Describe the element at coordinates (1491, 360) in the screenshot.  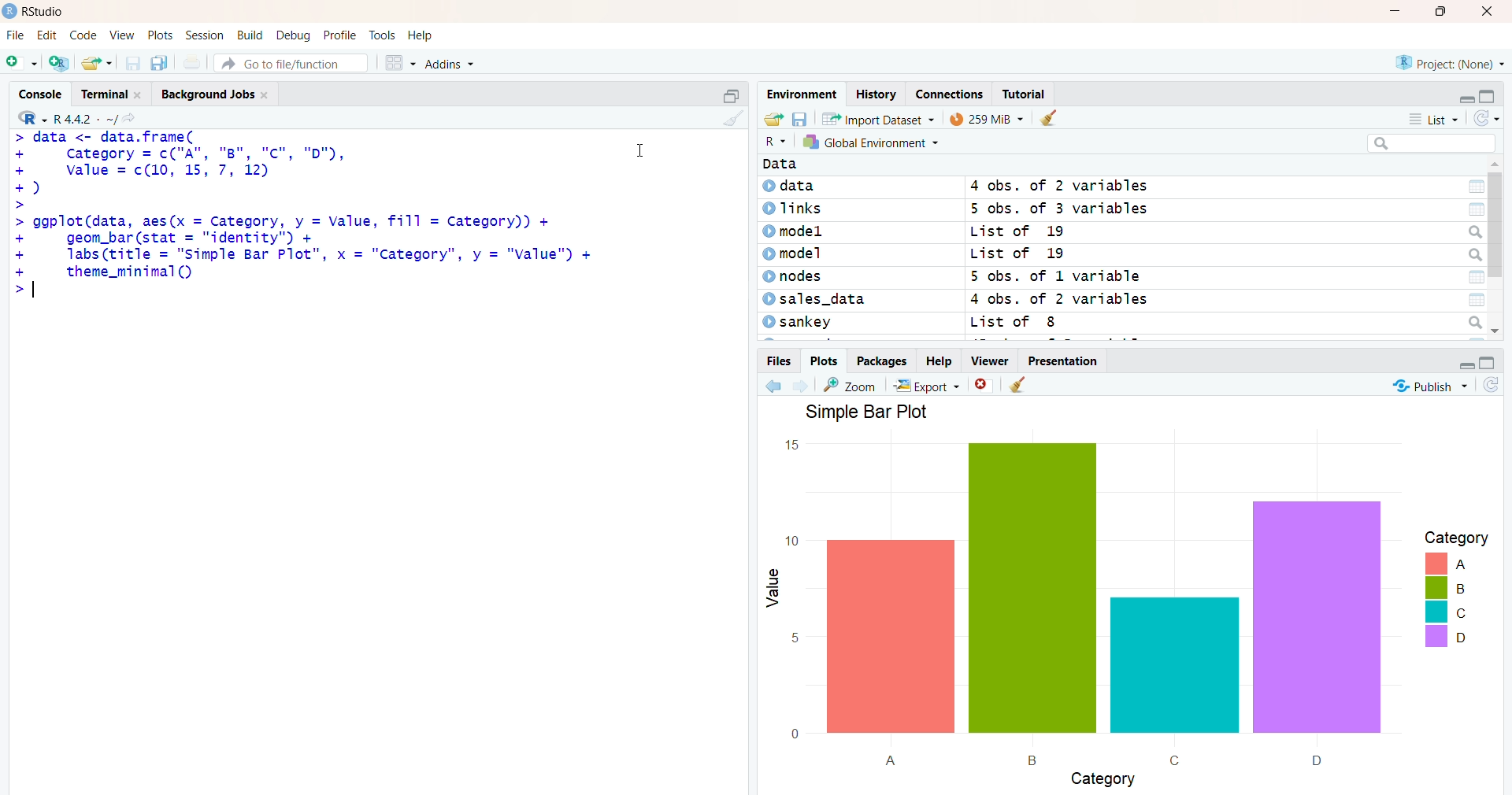
I see `maximize` at that location.